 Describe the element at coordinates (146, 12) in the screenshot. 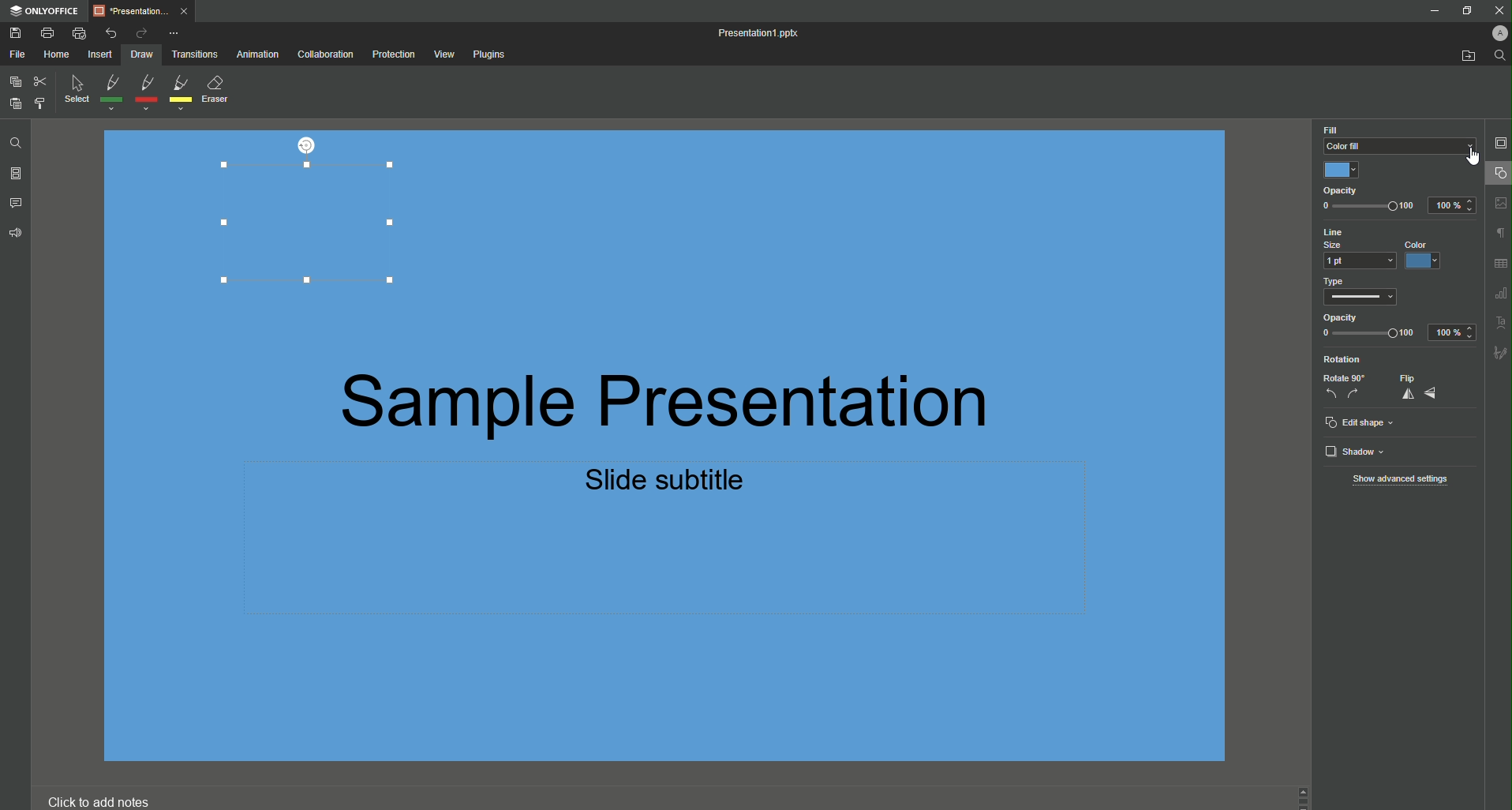

I see `Tab 1` at that location.